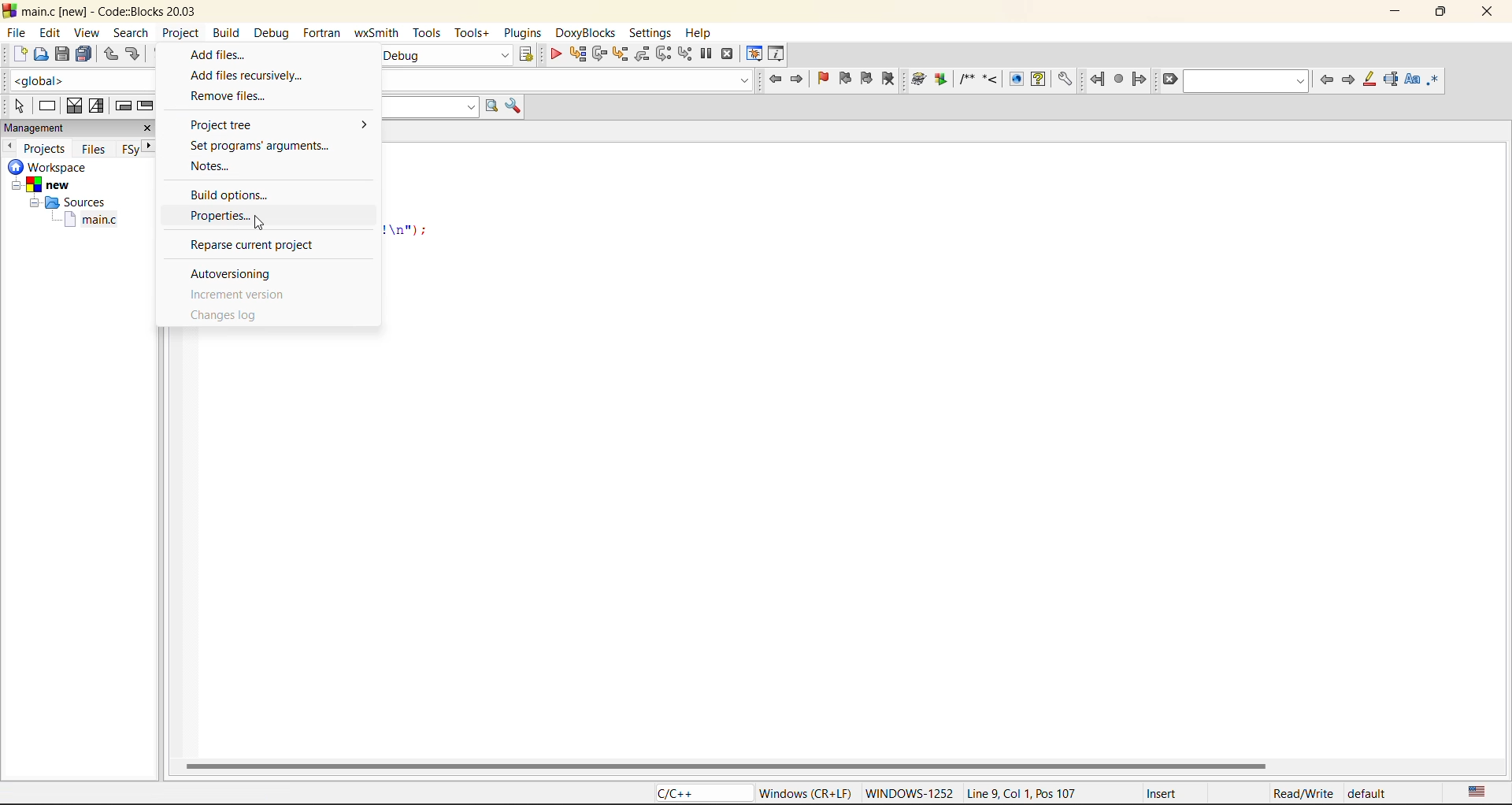  I want to click on view, so click(85, 33).